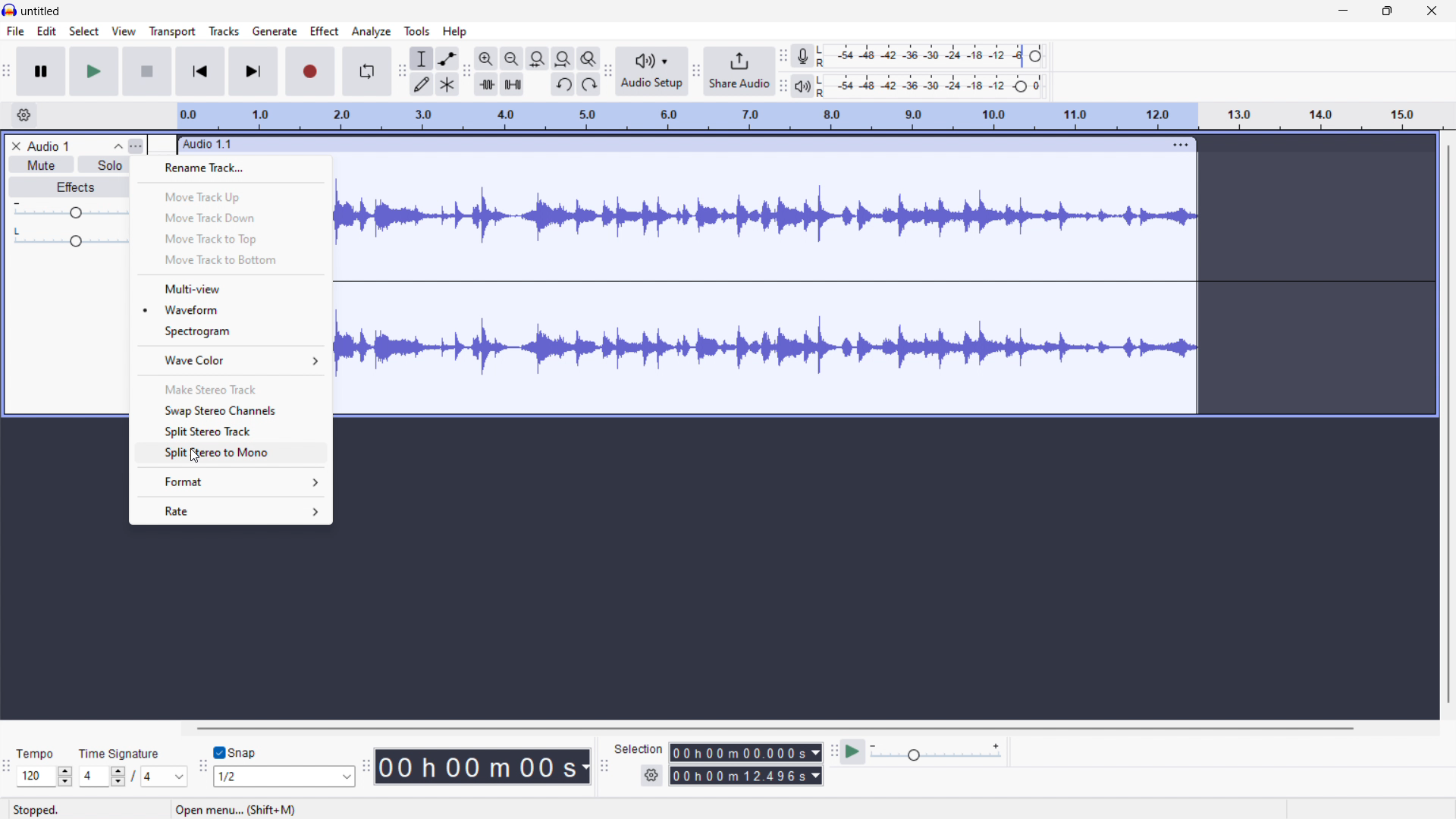 The width and height of the screenshot is (1456, 819). I want to click on end time, so click(746, 776).